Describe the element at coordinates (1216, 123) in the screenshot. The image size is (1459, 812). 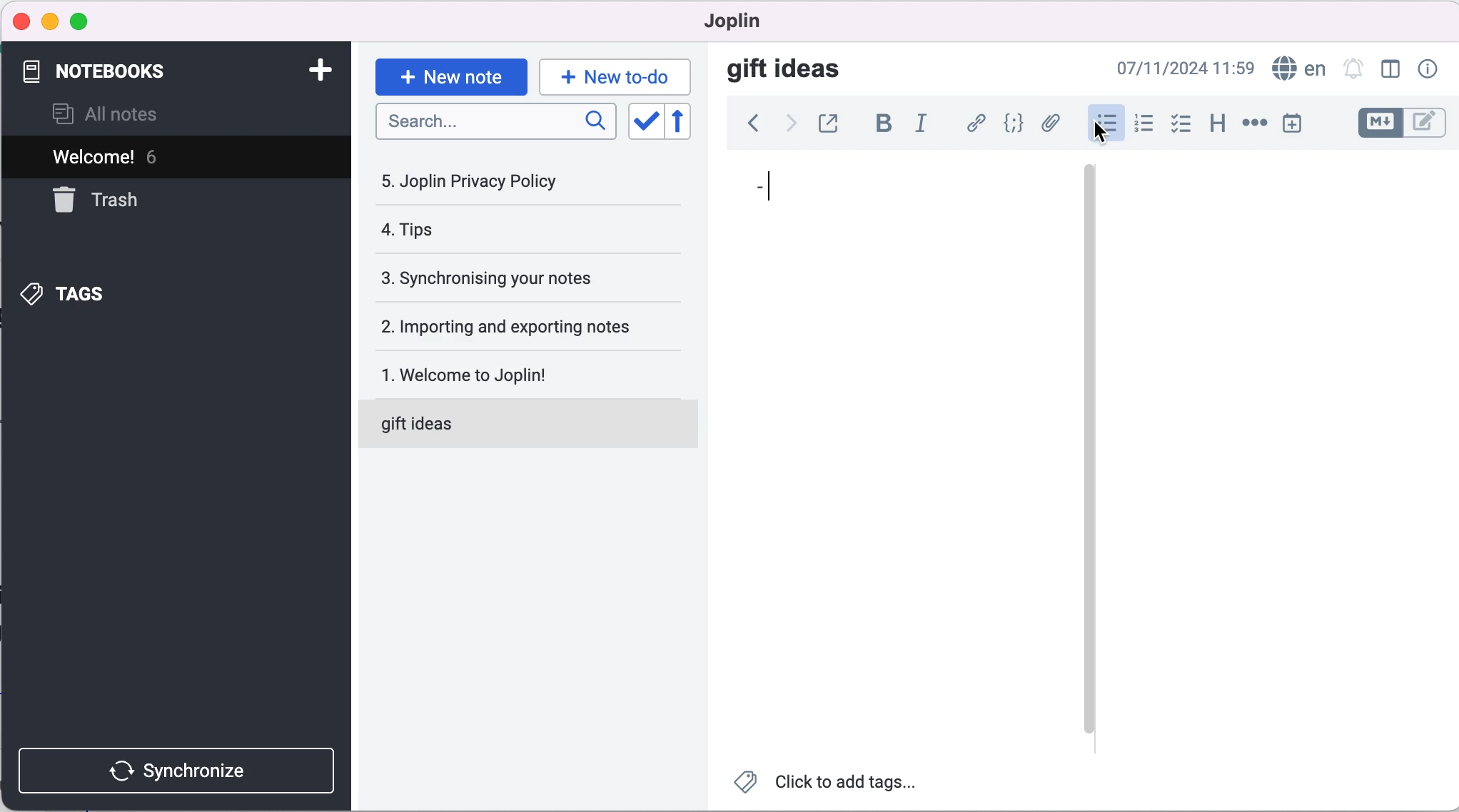
I see `heading` at that location.